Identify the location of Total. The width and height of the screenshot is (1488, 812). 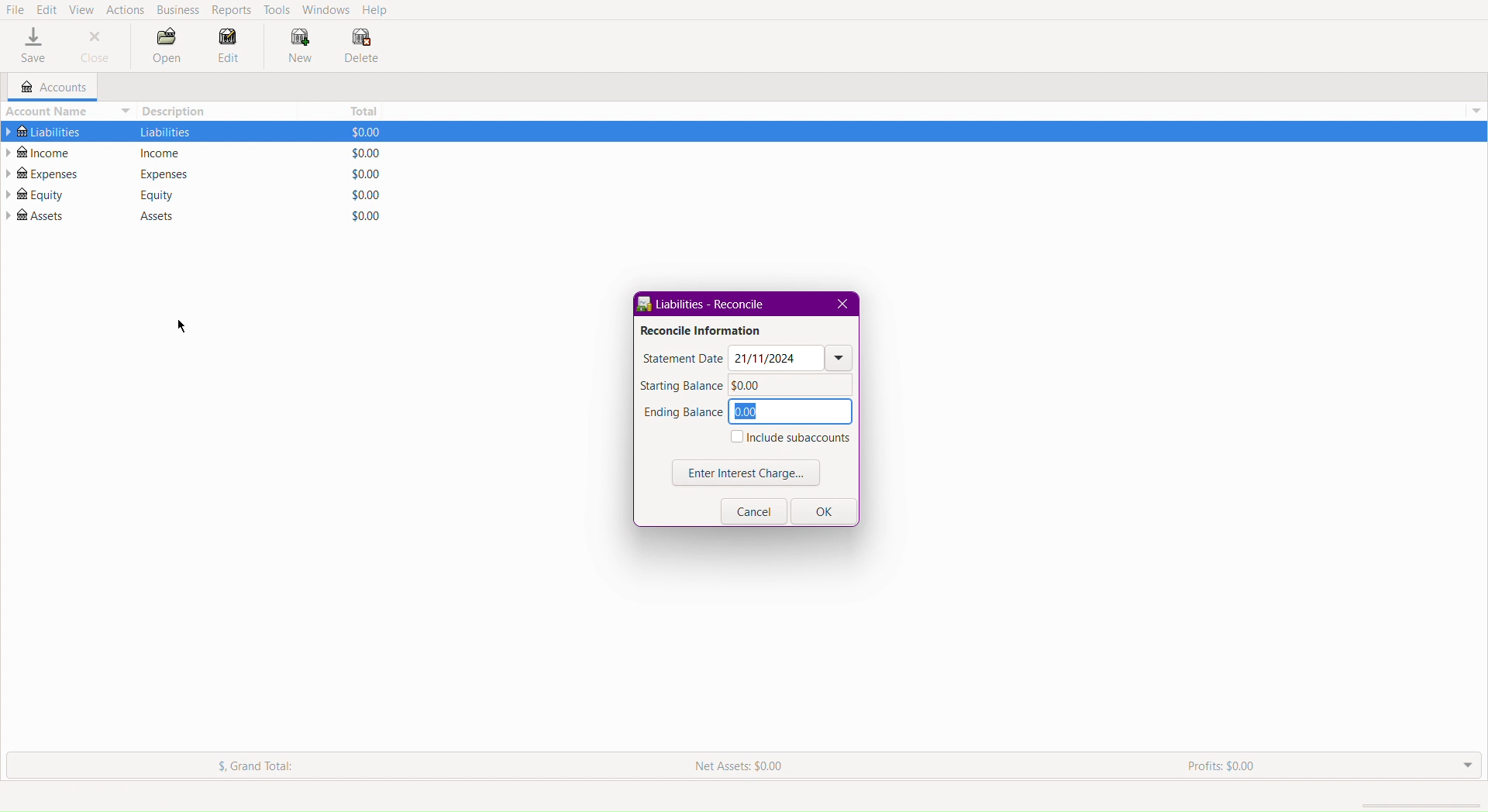
(361, 111).